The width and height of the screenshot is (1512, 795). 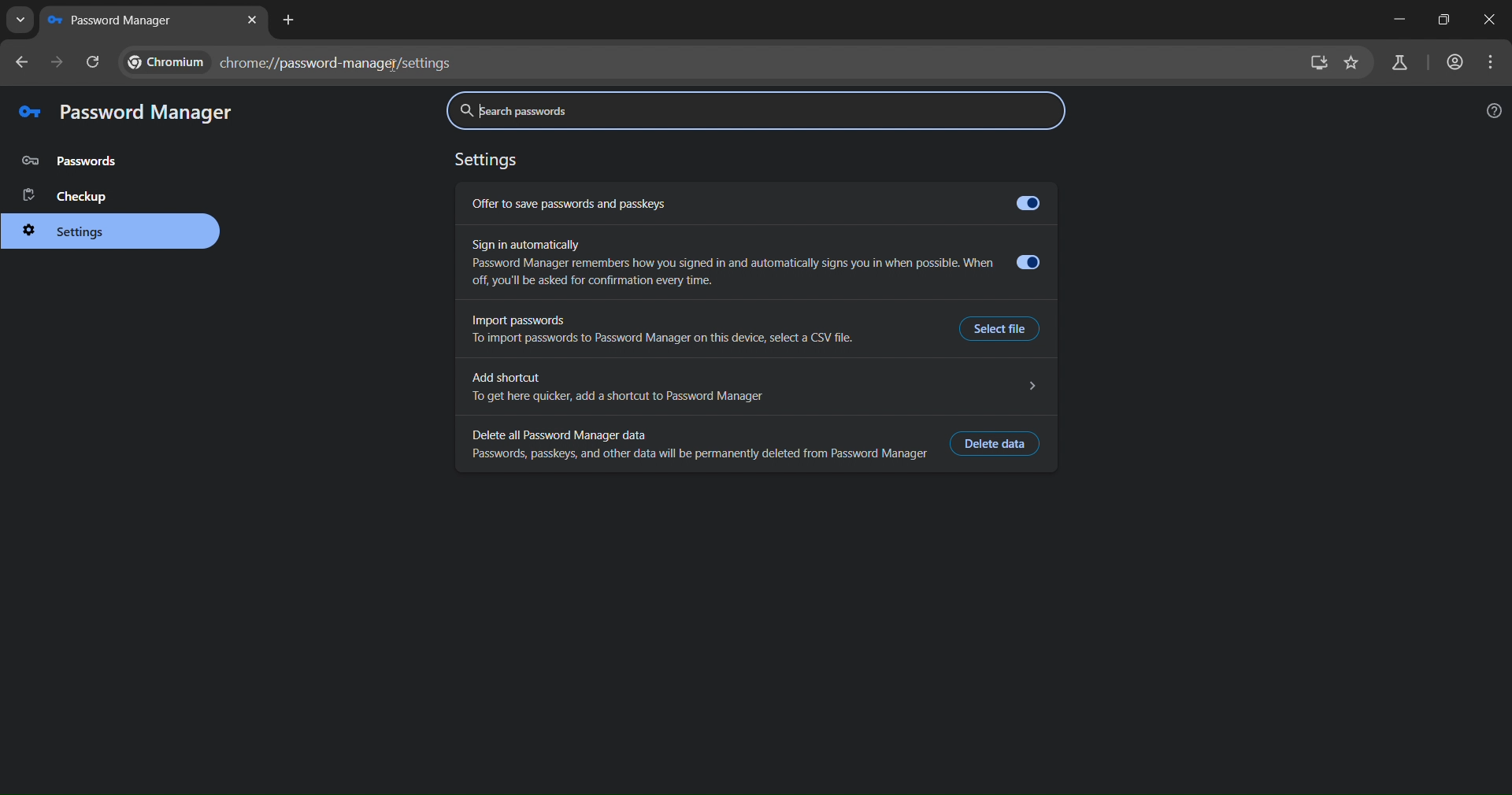 I want to click on bookmark page, so click(x=1353, y=62).